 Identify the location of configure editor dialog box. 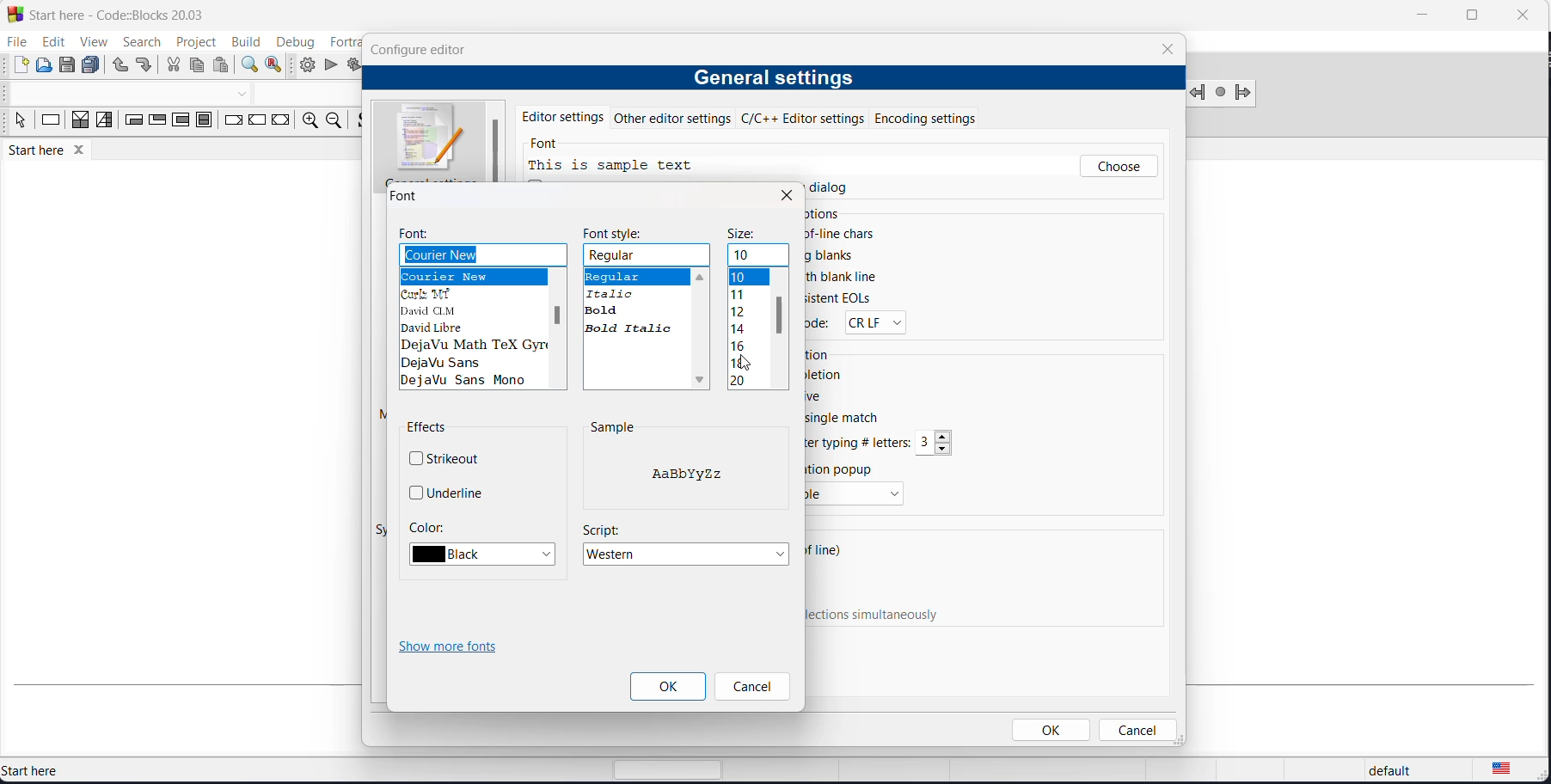
(422, 49).